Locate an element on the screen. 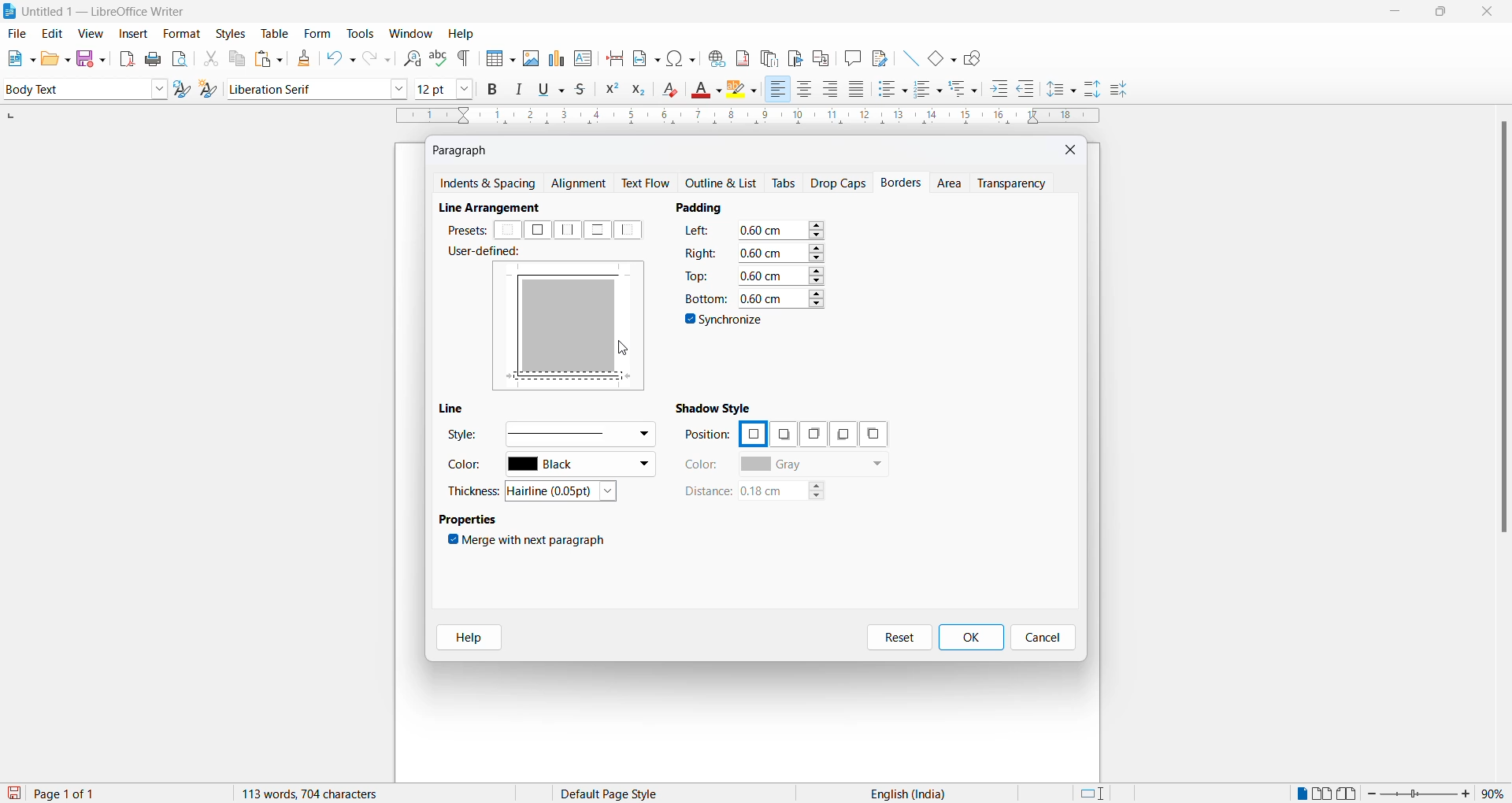 The image size is (1512, 803). toggle unordered list is located at coordinates (892, 89).